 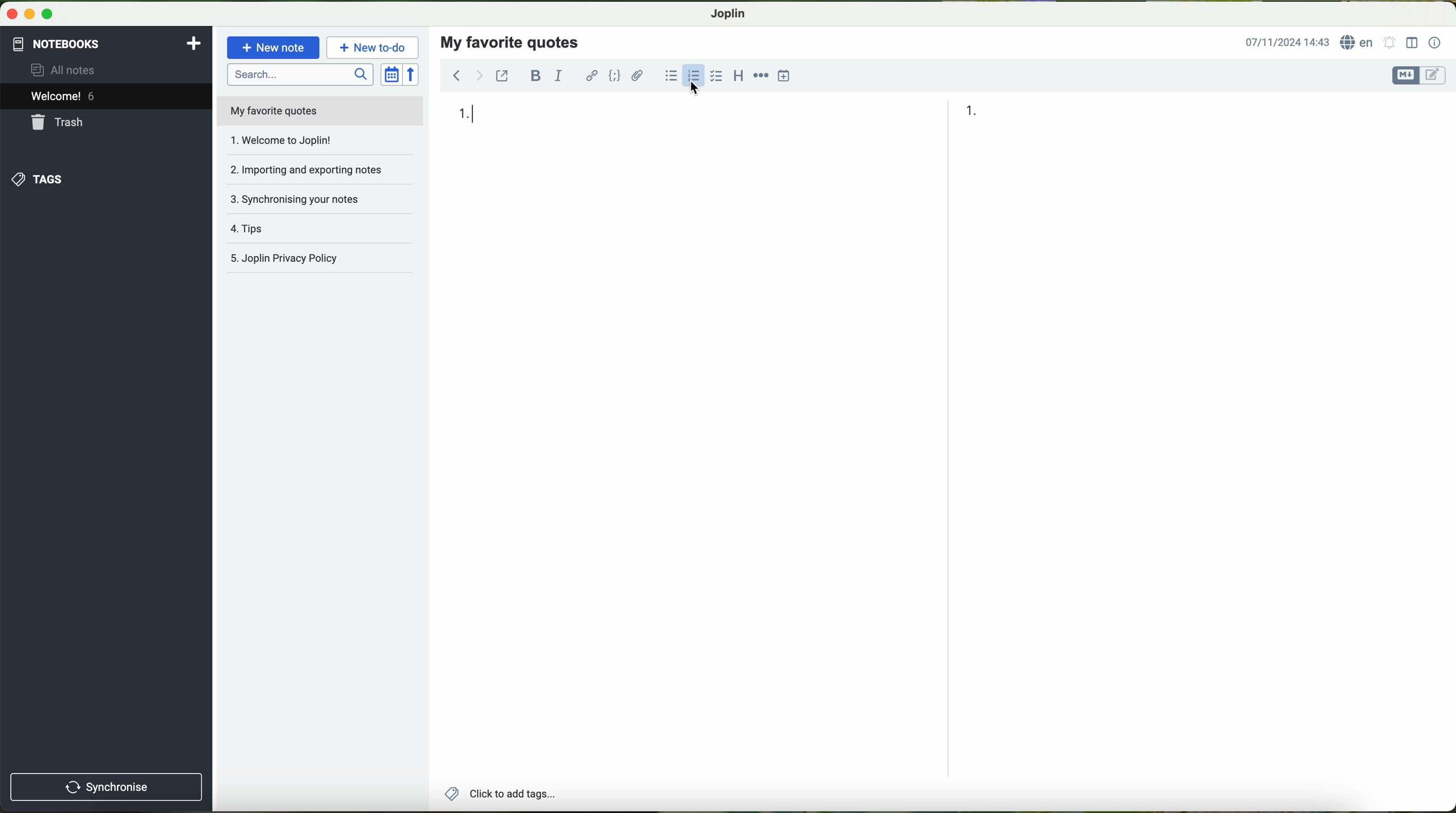 What do you see at coordinates (716, 77) in the screenshot?
I see `checkbox` at bounding box center [716, 77].